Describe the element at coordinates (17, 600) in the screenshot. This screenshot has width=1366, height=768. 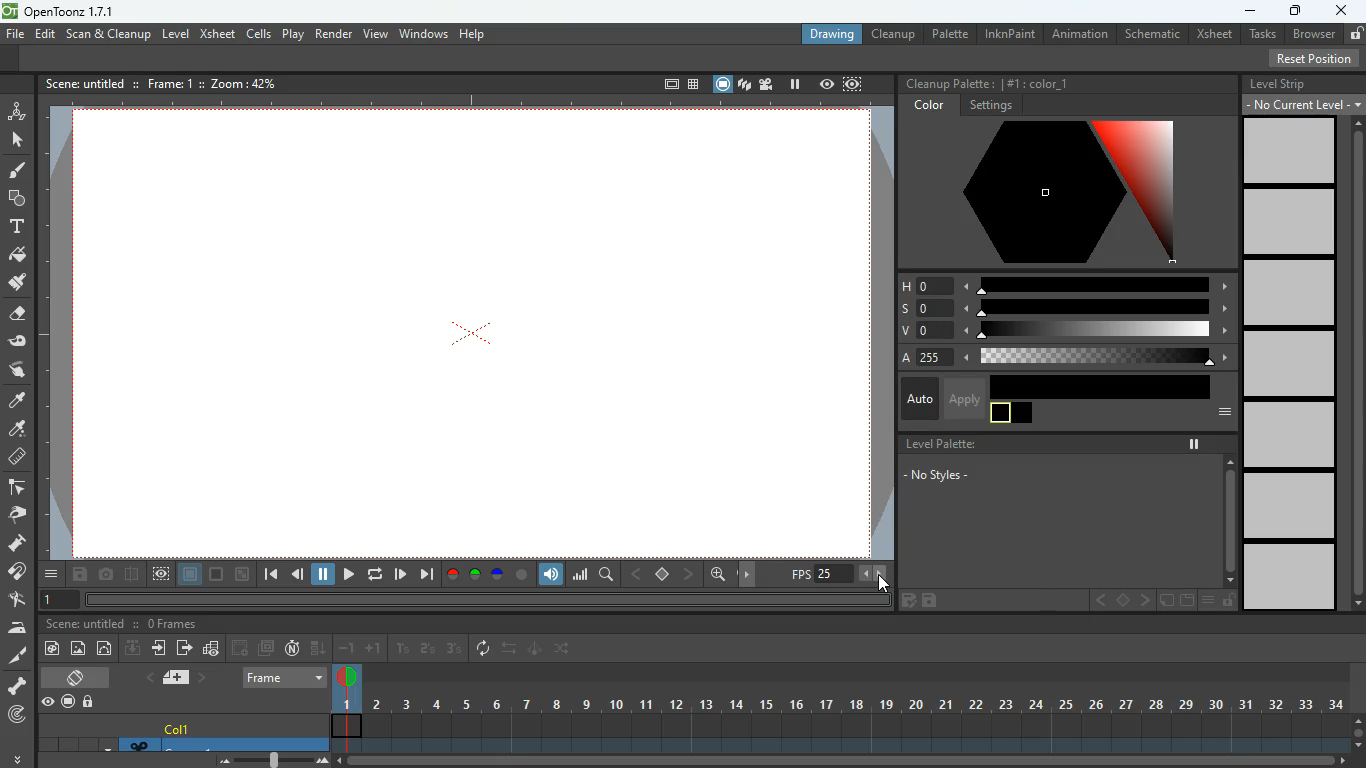
I see `edit` at that location.